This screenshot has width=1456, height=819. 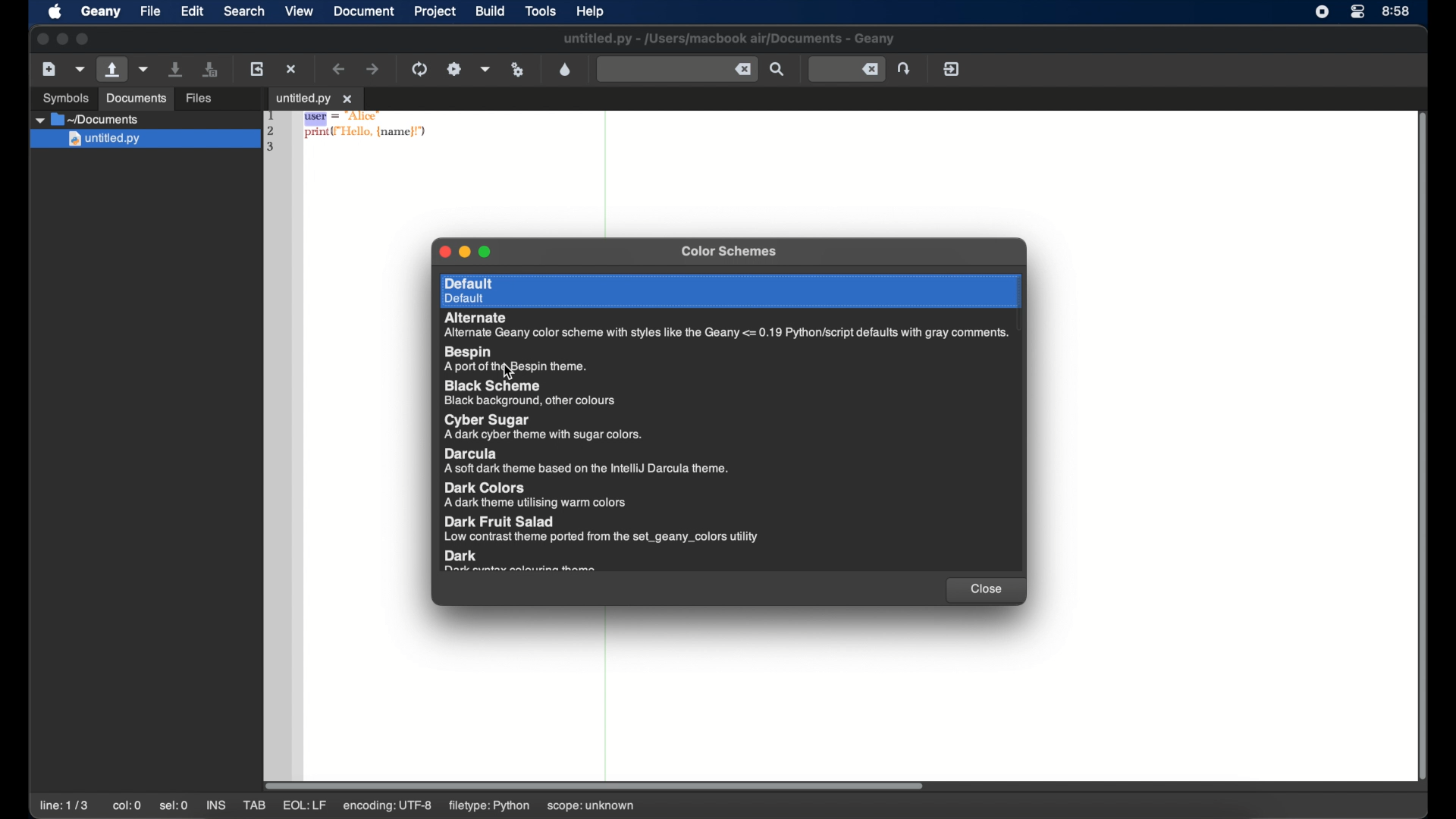 What do you see at coordinates (244, 11) in the screenshot?
I see `search` at bounding box center [244, 11].